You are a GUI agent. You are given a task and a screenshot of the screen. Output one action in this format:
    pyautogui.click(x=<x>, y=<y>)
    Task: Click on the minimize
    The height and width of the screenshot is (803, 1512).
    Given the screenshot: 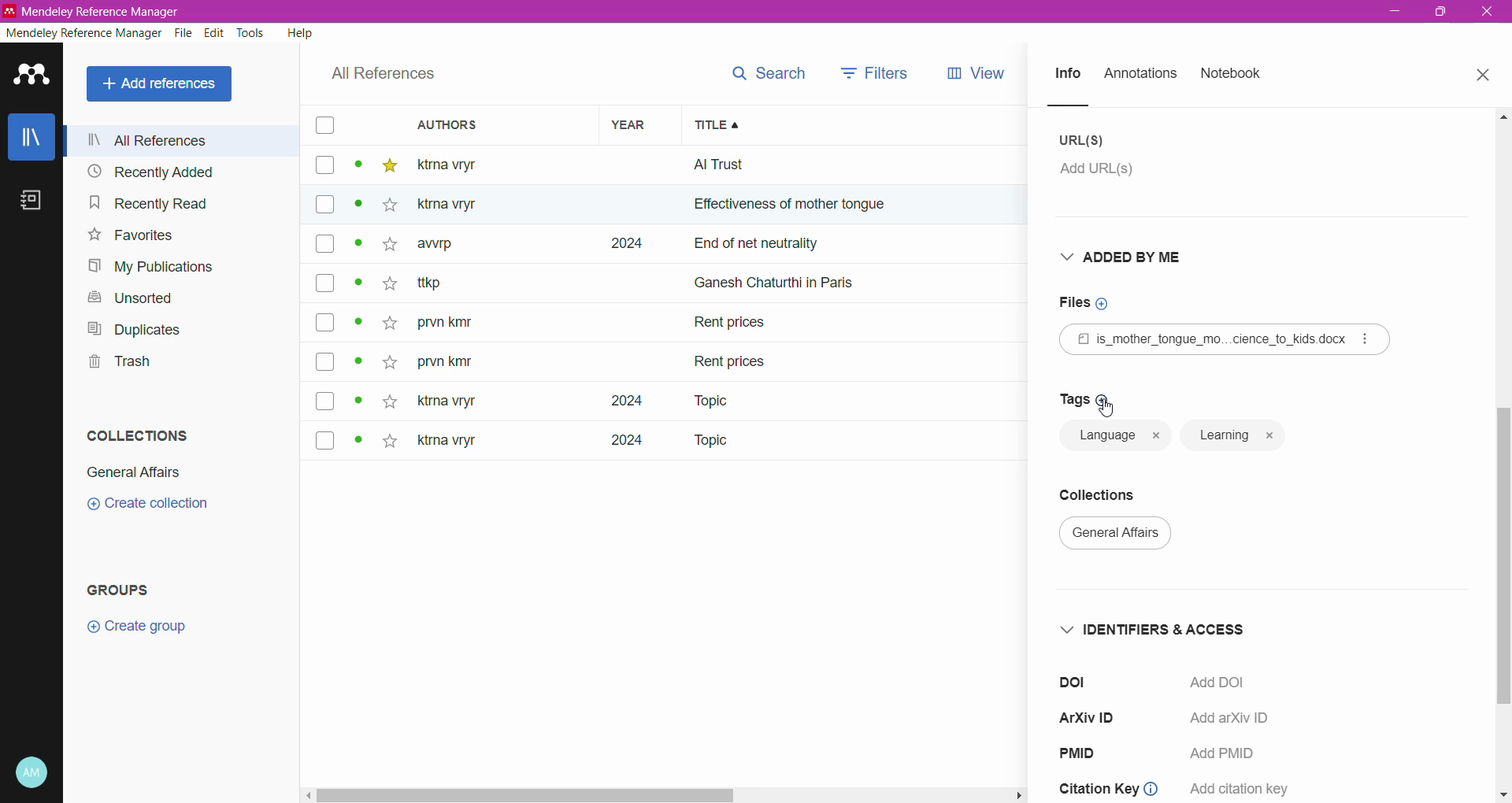 What is the action you would take?
    pyautogui.click(x=1397, y=13)
    